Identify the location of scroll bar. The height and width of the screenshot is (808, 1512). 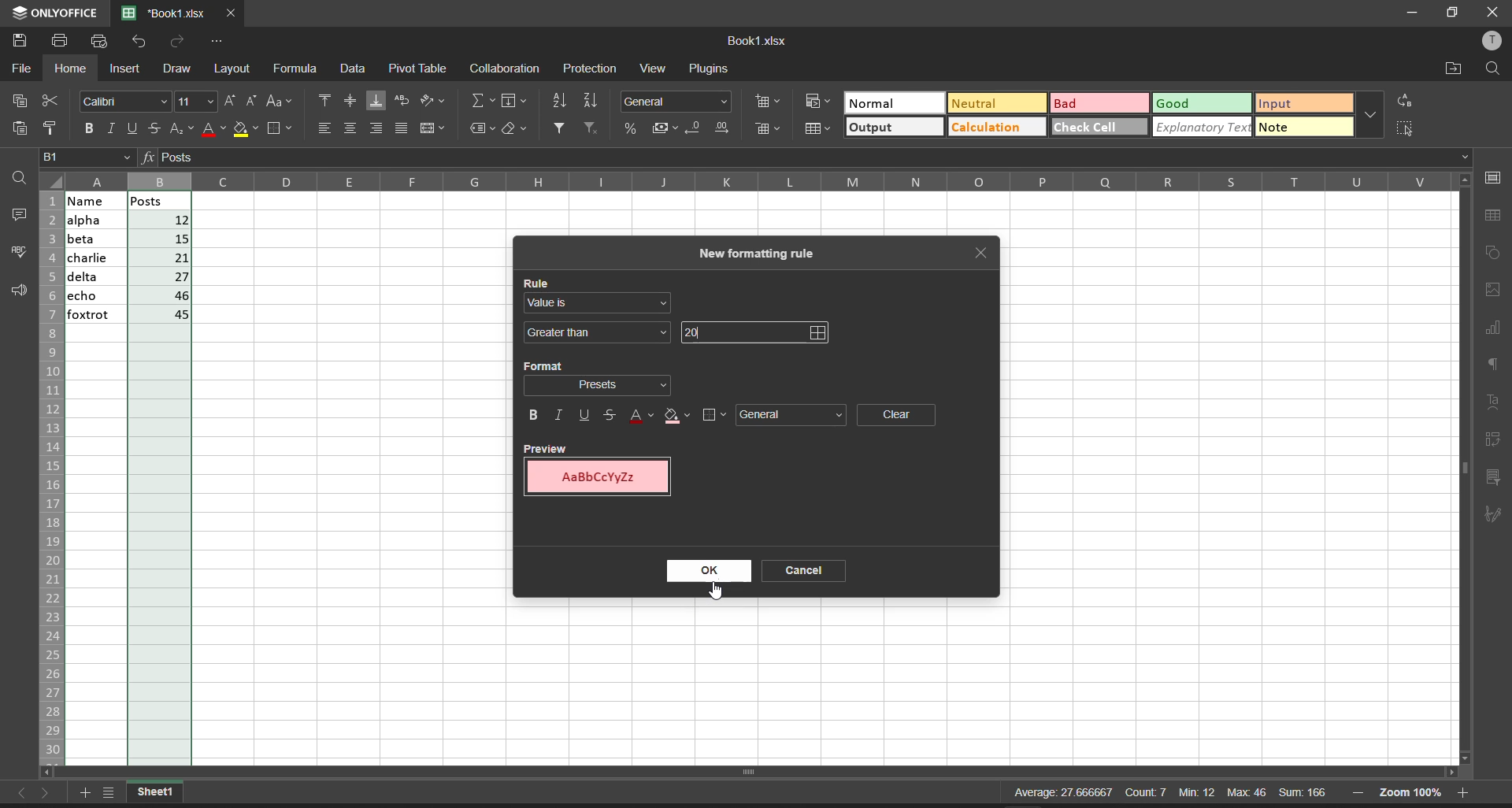
(757, 765).